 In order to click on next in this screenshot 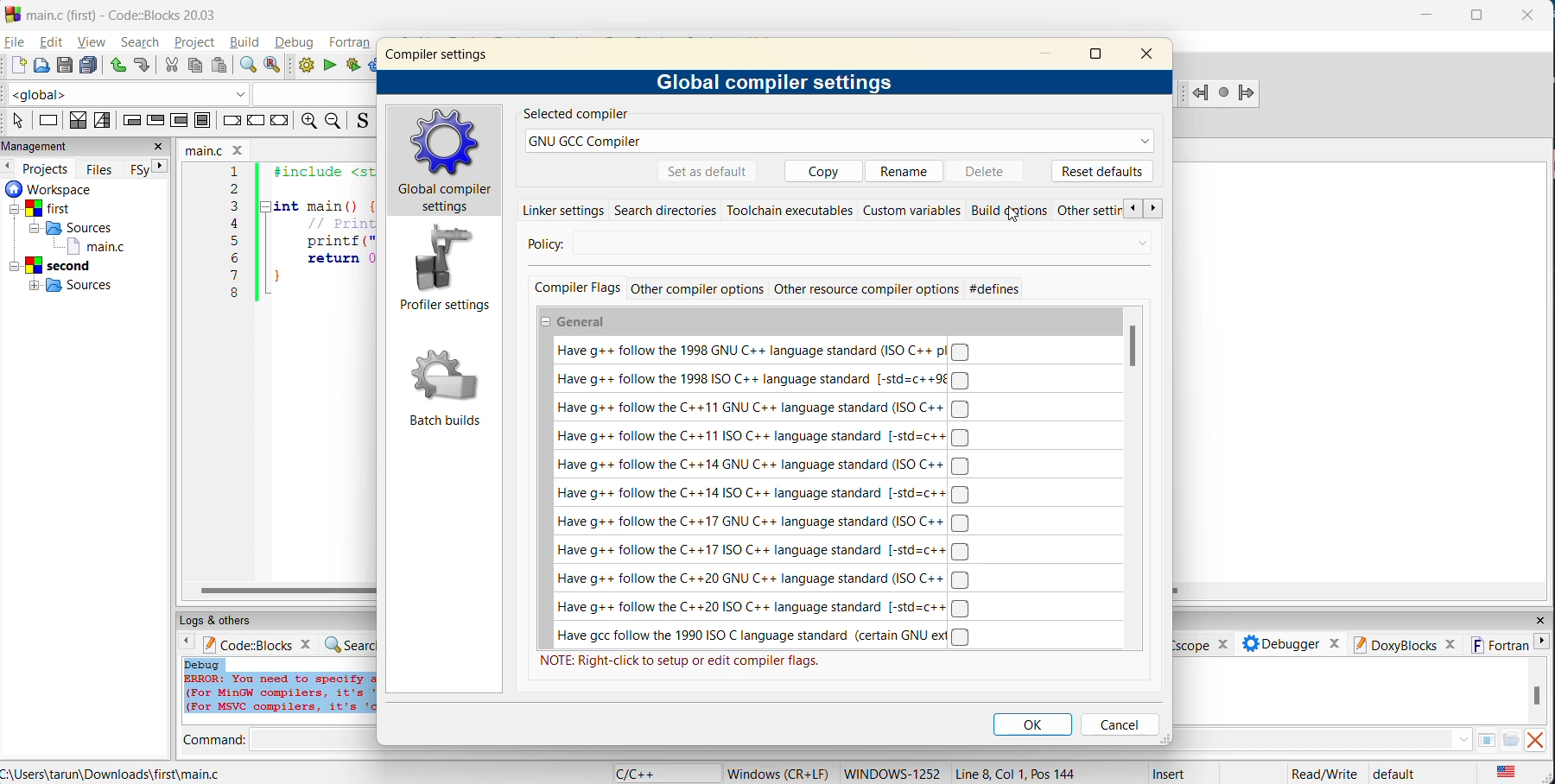, I will do `click(1152, 210)`.